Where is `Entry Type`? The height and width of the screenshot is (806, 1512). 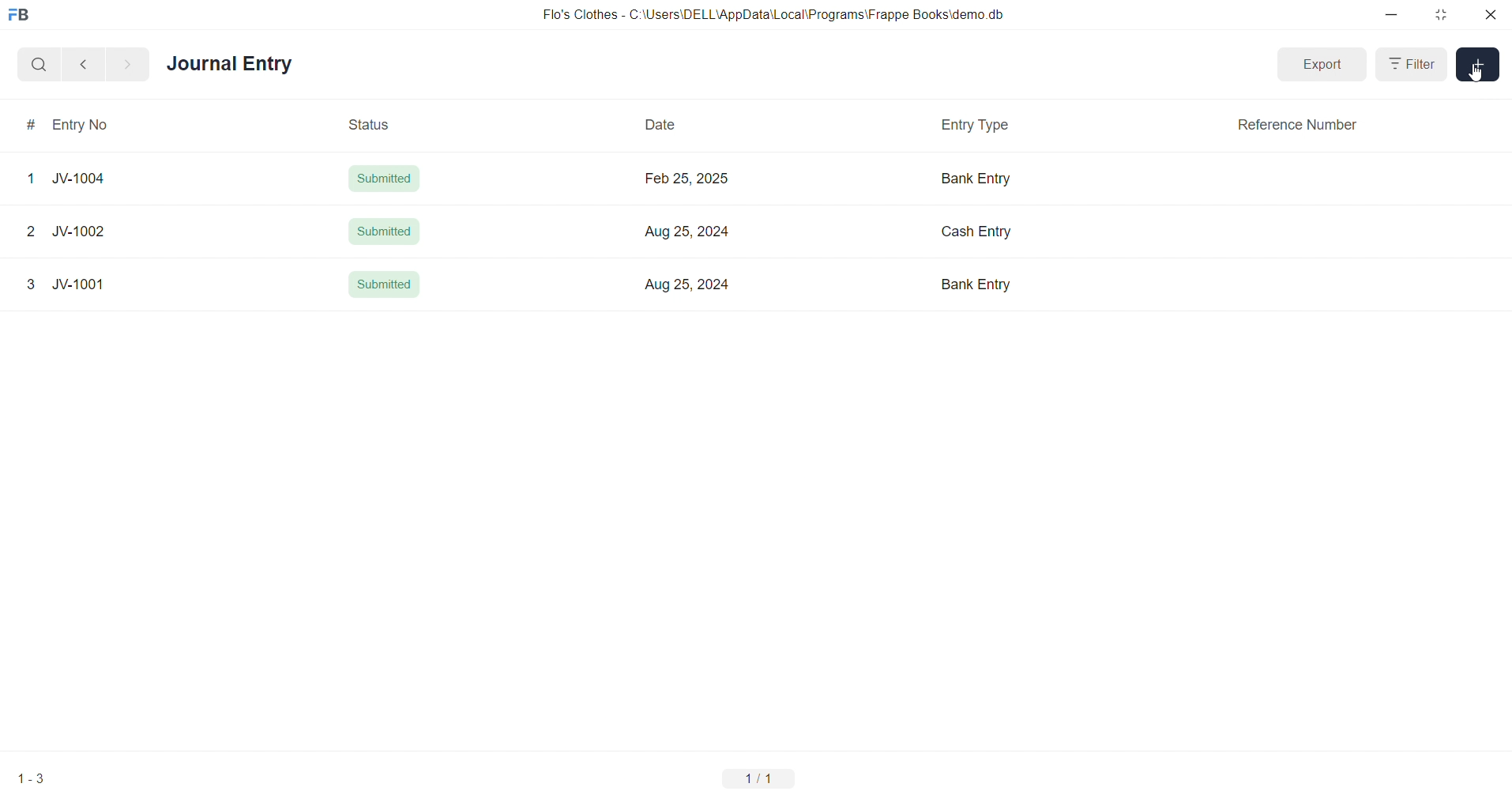 Entry Type is located at coordinates (980, 126).